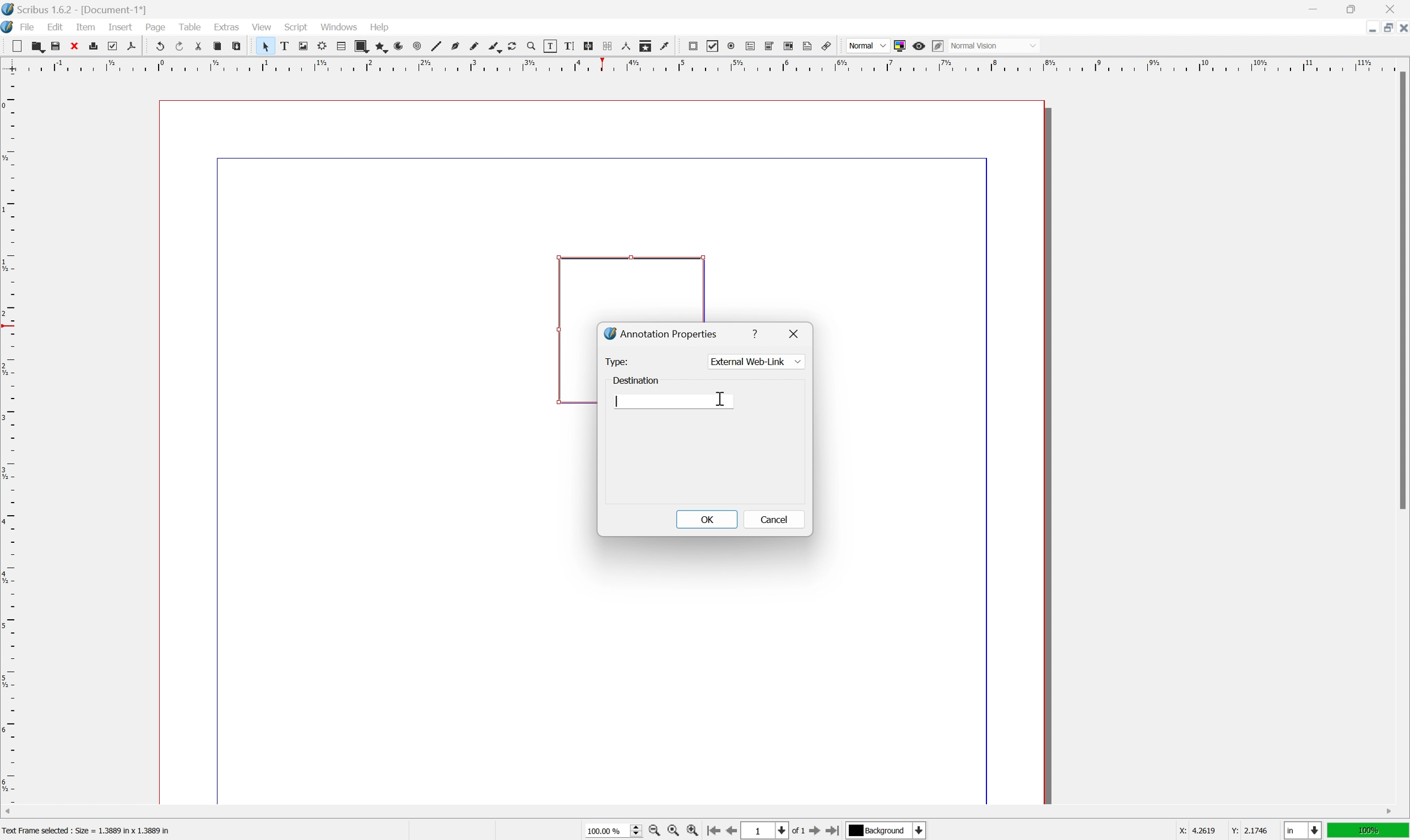 The height and width of the screenshot is (840, 1410). Describe the element at coordinates (613, 830) in the screenshot. I see `select current zoom level` at that location.